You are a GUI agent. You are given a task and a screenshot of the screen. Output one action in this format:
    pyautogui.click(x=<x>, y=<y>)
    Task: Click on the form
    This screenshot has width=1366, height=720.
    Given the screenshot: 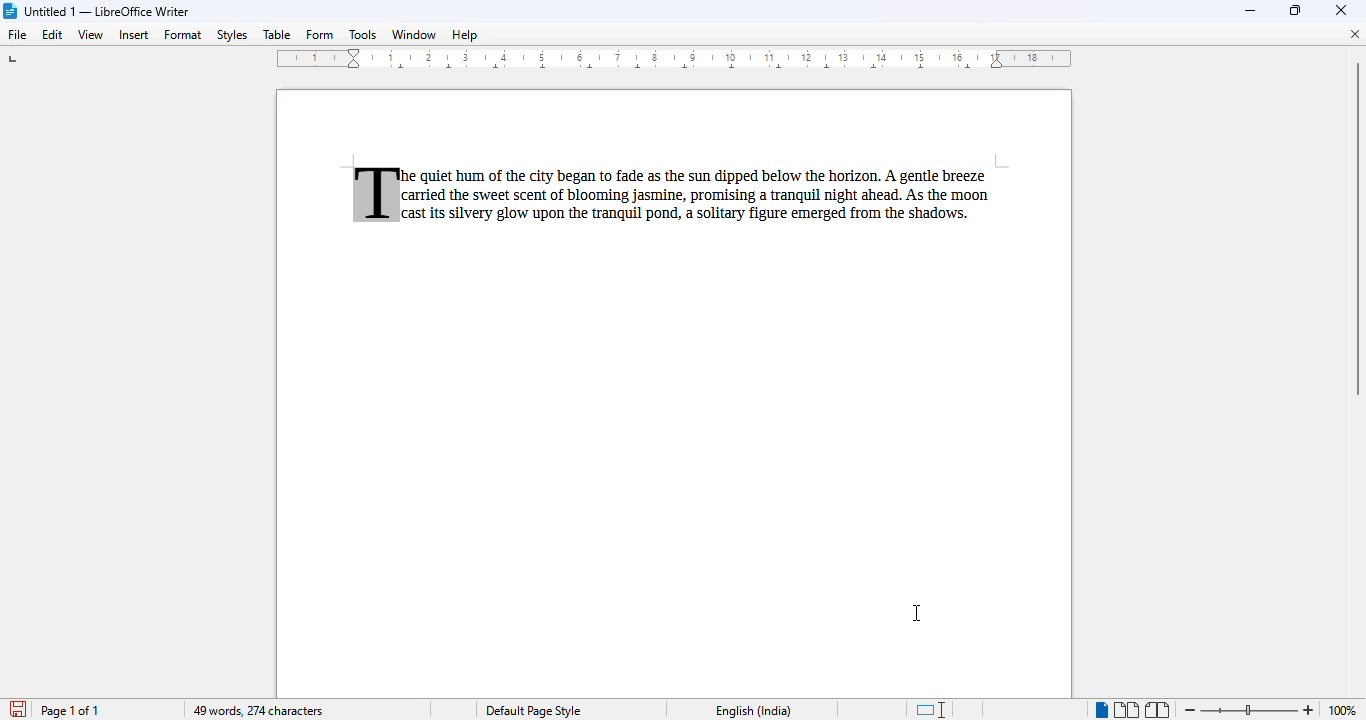 What is the action you would take?
    pyautogui.click(x=319, y=33)
    